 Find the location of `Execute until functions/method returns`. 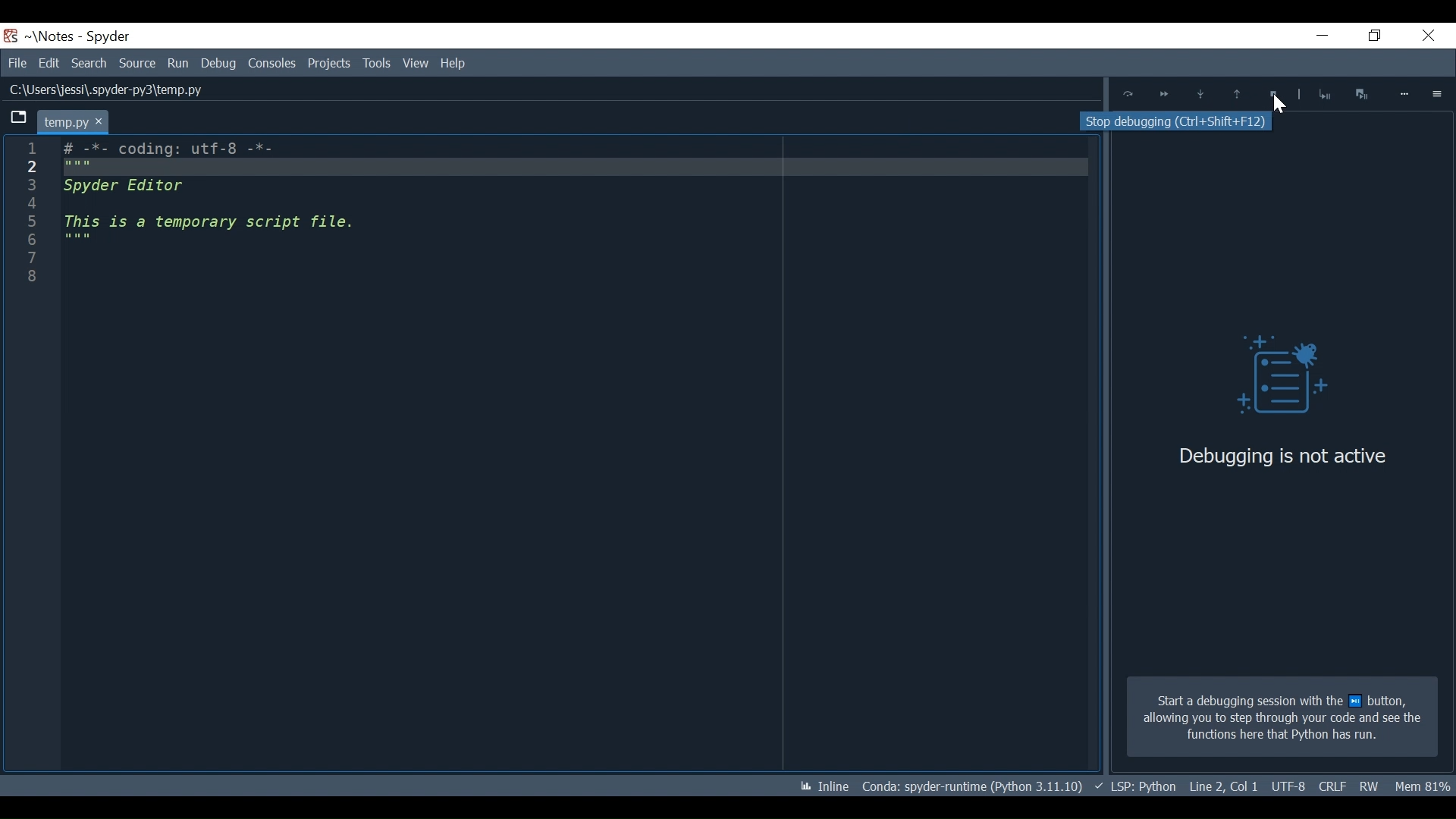

Execute until functions/method returns is located at coordinates (1238, 96).